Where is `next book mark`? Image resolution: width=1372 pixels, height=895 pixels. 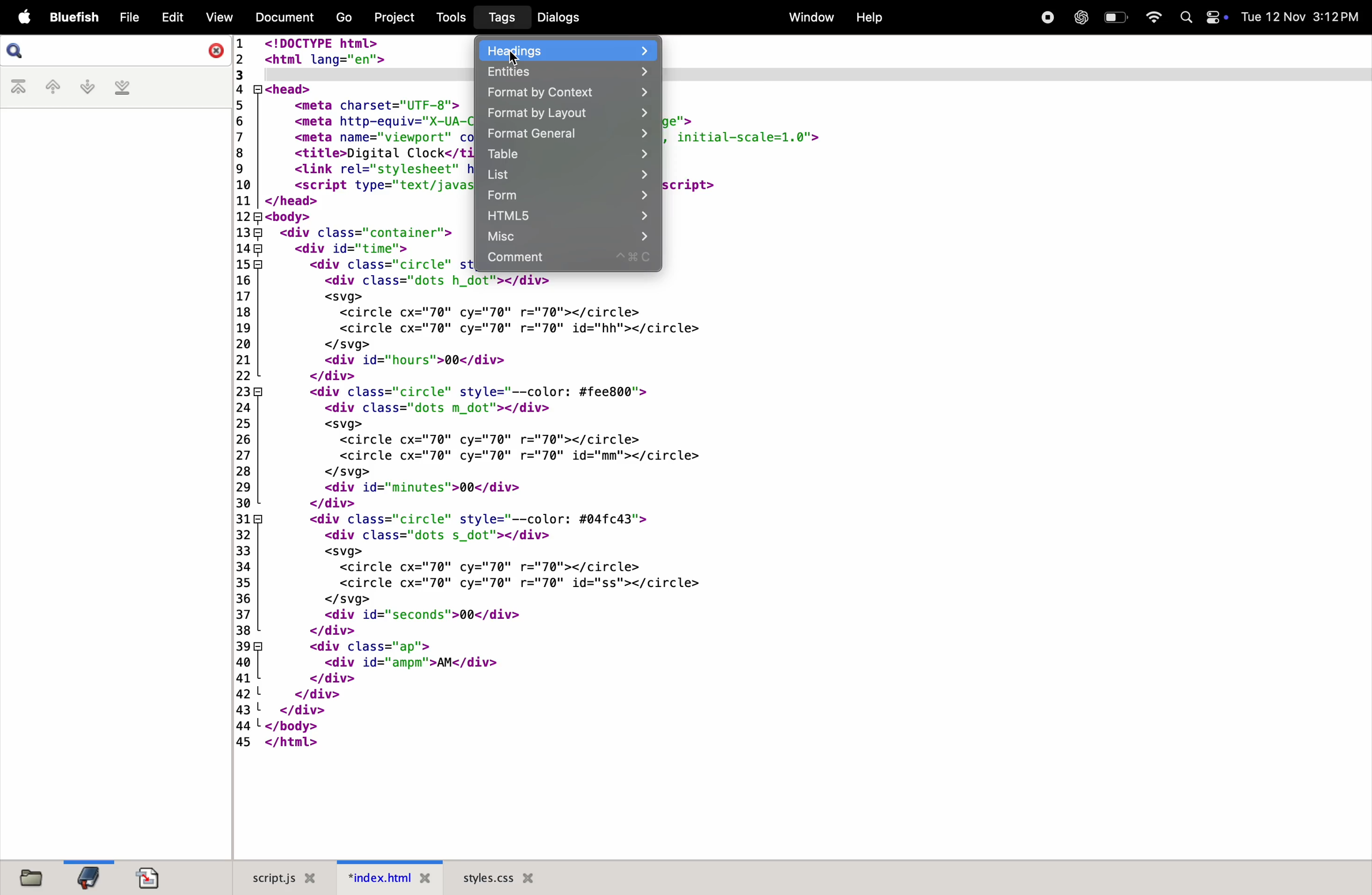
next book mark is located at coordinates (87, 87).